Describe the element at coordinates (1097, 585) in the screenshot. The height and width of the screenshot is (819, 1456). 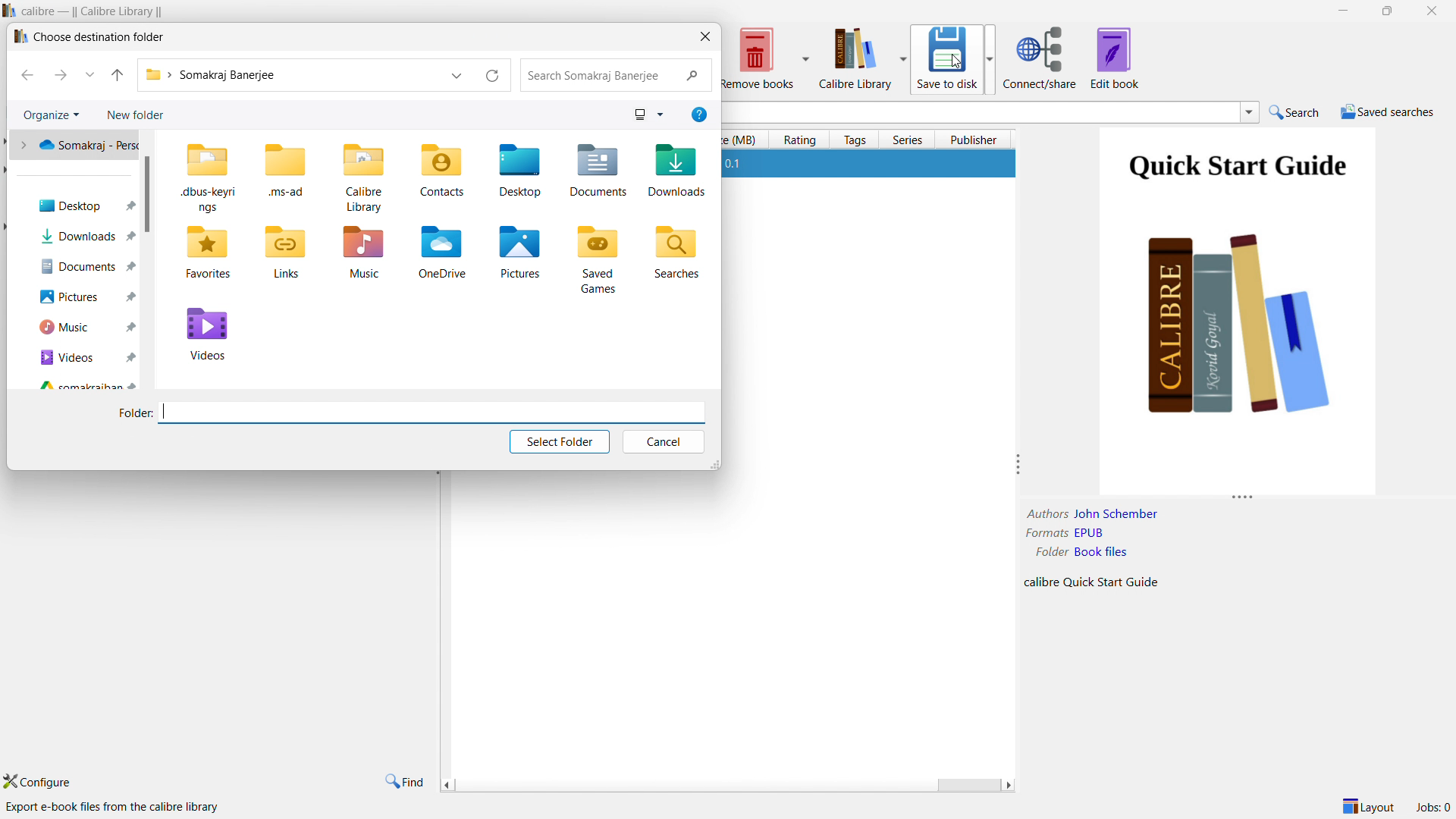
I see `calibre Quick Start Guide` at that location.